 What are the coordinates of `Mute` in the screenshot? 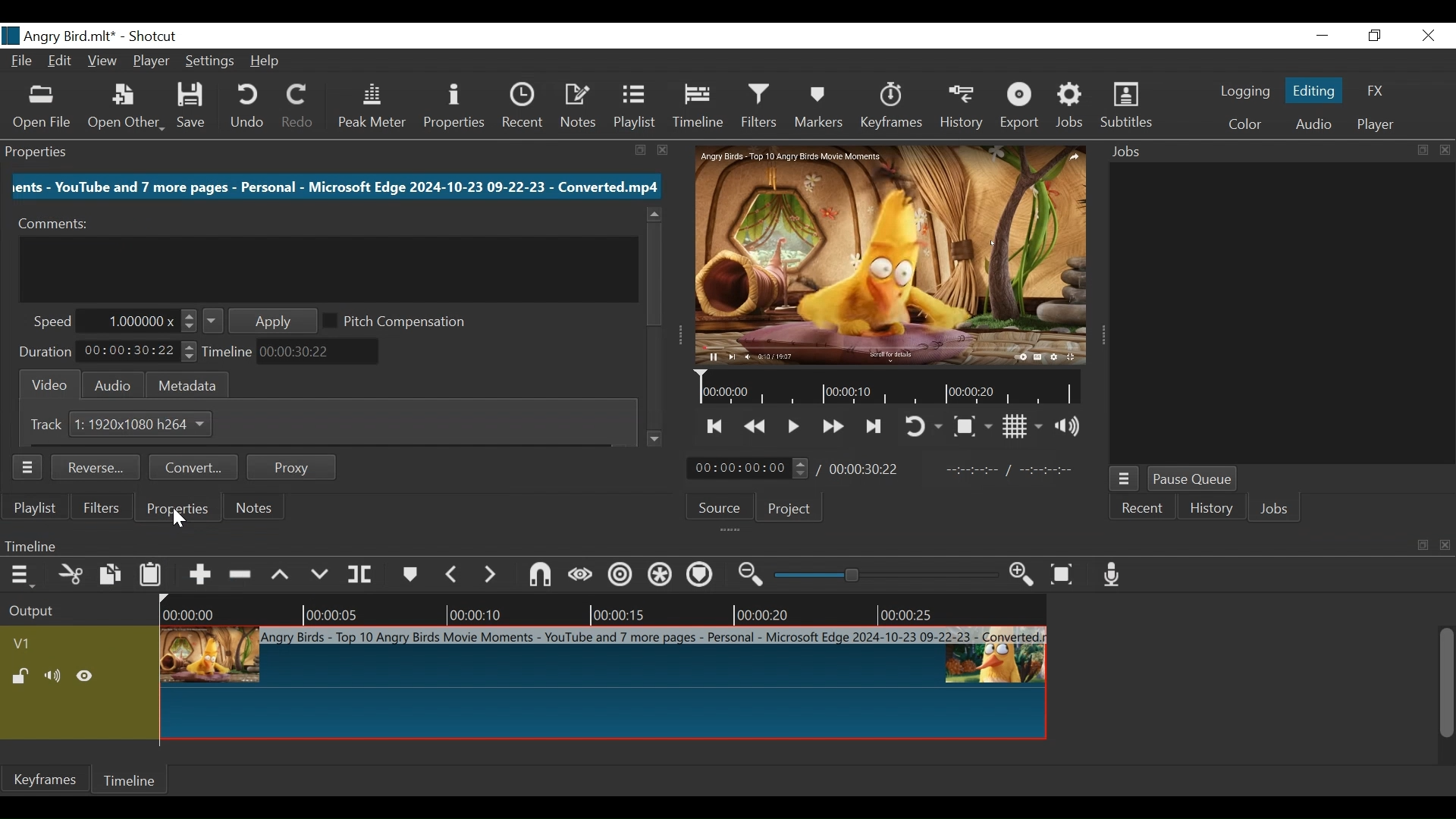 It's located at (54, 675).